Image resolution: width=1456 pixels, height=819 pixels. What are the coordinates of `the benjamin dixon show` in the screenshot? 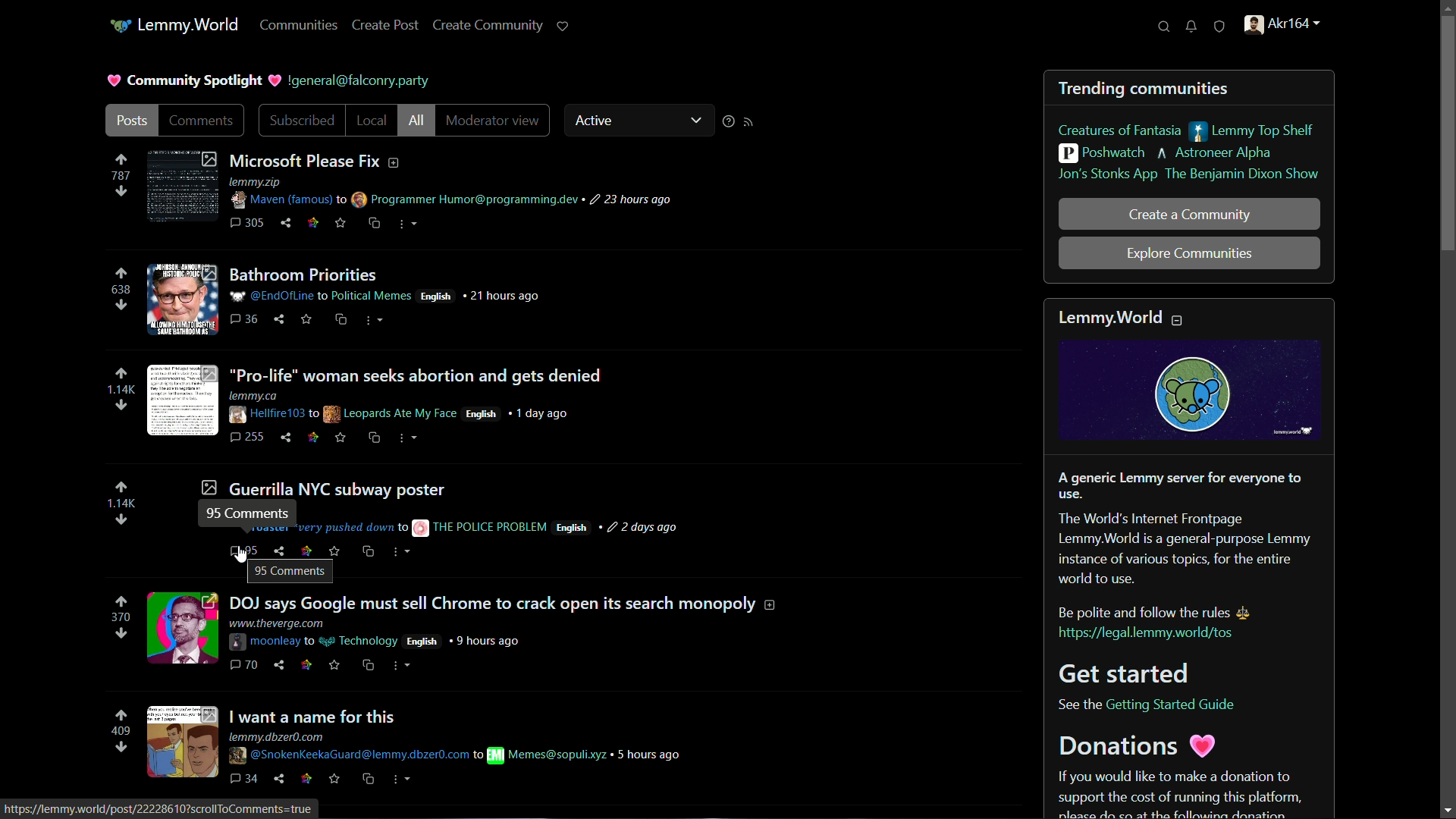 It's located at (1241, 175).